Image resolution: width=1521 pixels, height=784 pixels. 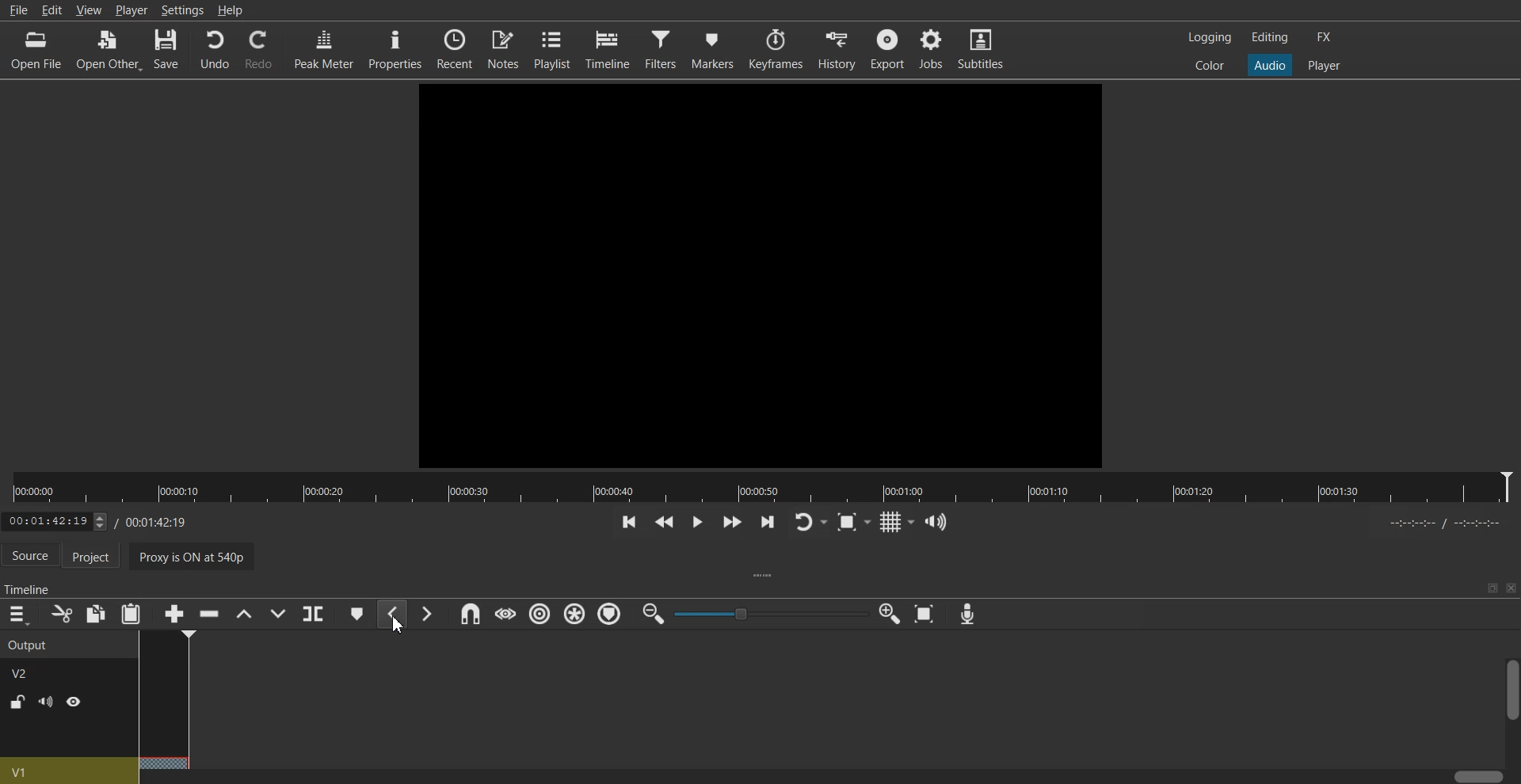 What do you see at coordinates (1208, 37) in the screenshot?
I see `Switch to the logging layout` at bounding box center [1208, 37].